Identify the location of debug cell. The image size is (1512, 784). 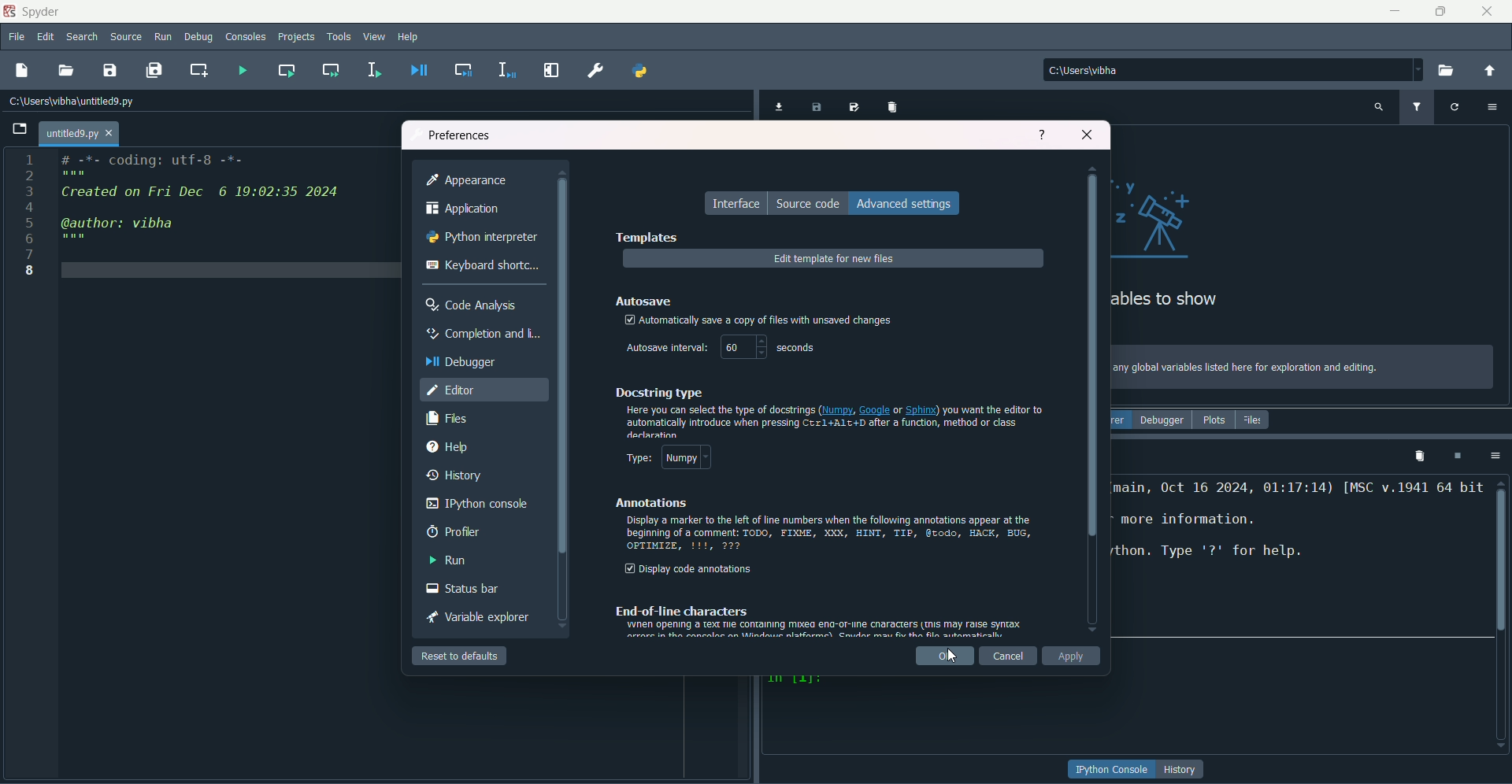
(465, 70).